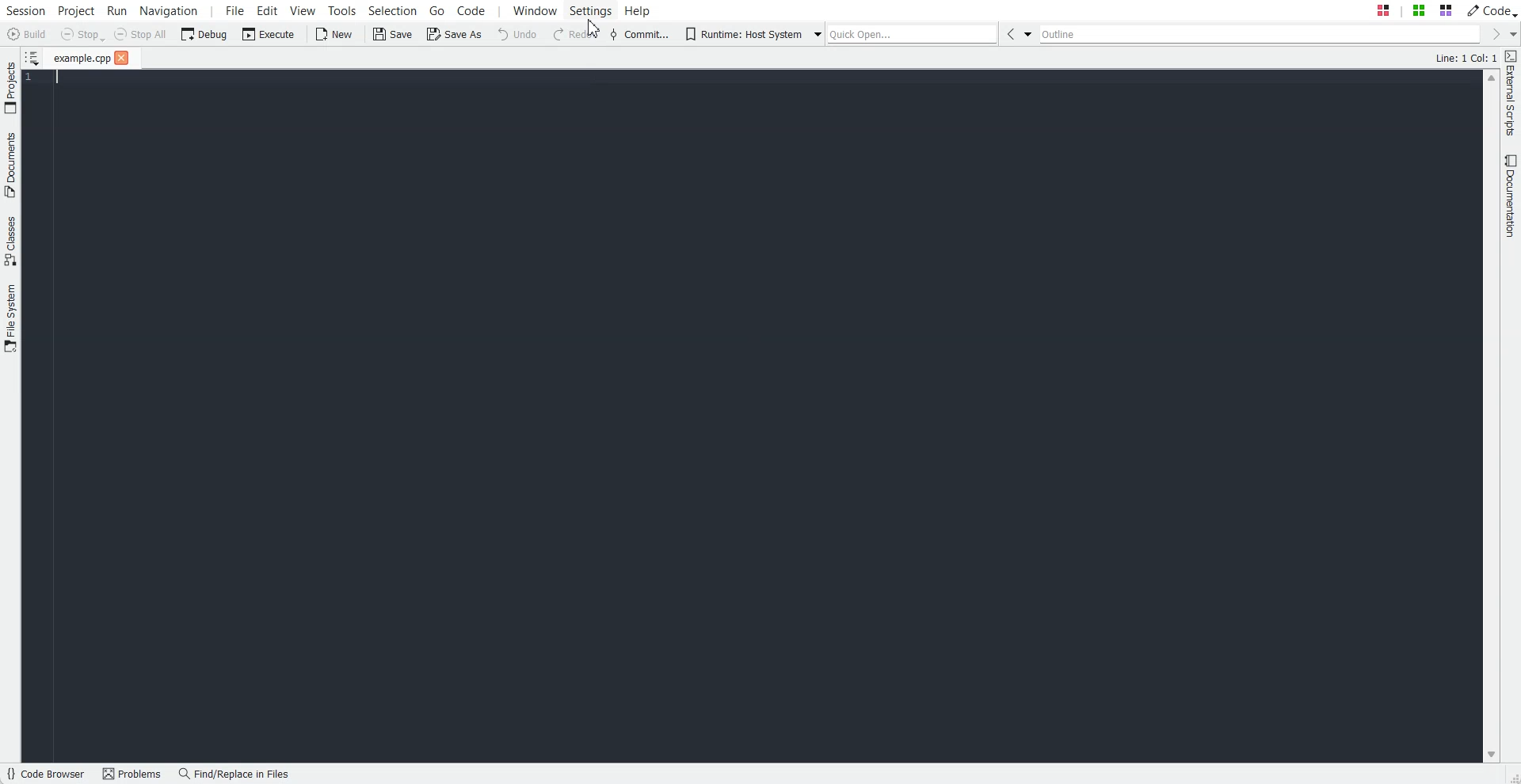  I want to click on Save As, so click(452, 33).